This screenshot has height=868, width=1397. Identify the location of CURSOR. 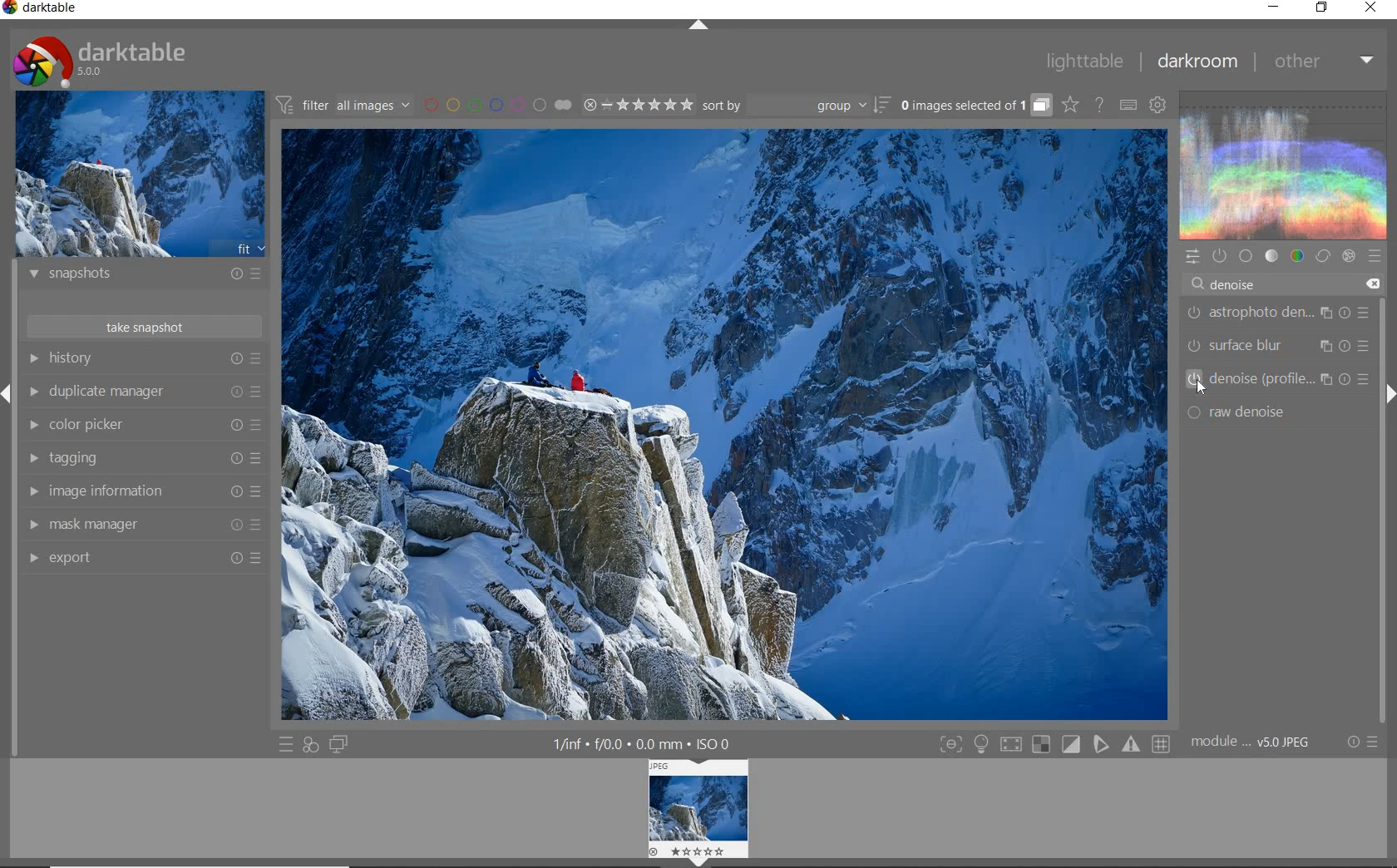
(1200, 390).